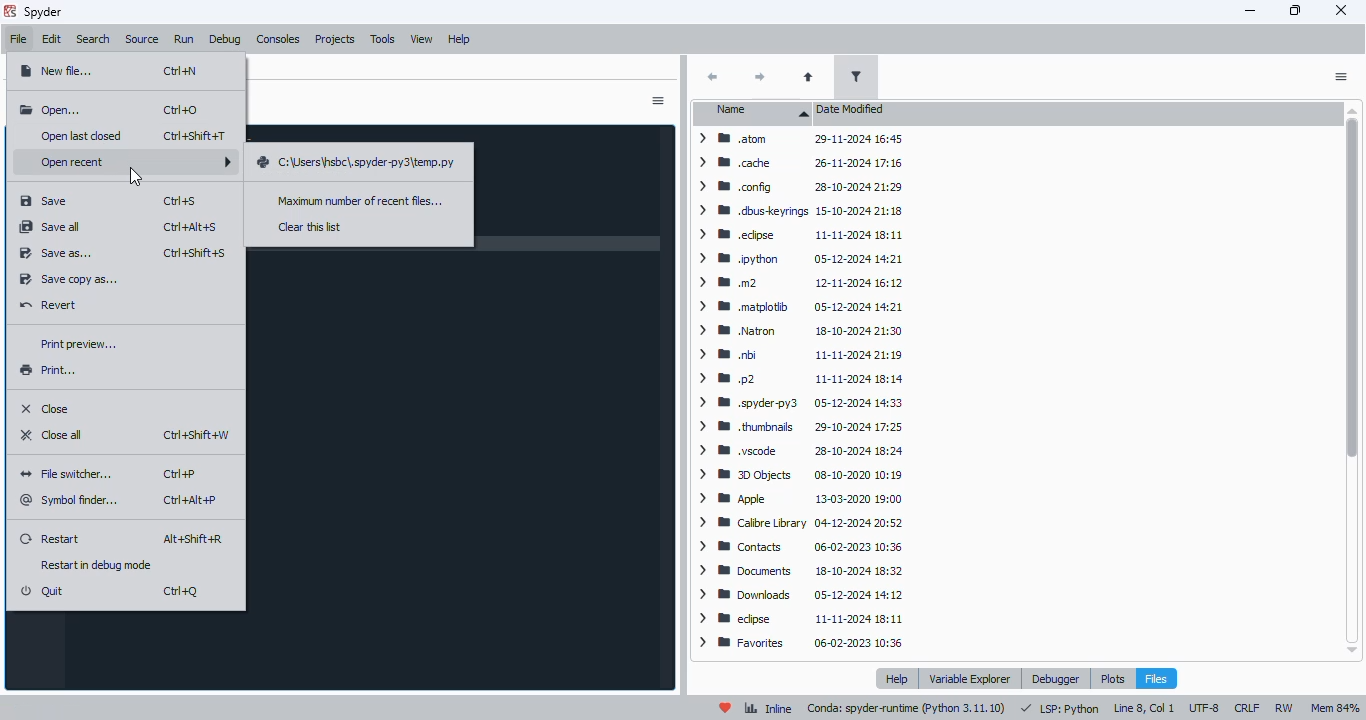  What do you see at coordinates (47, 407) in the screenshot?
I see `close` at bounding box center [47, 407].